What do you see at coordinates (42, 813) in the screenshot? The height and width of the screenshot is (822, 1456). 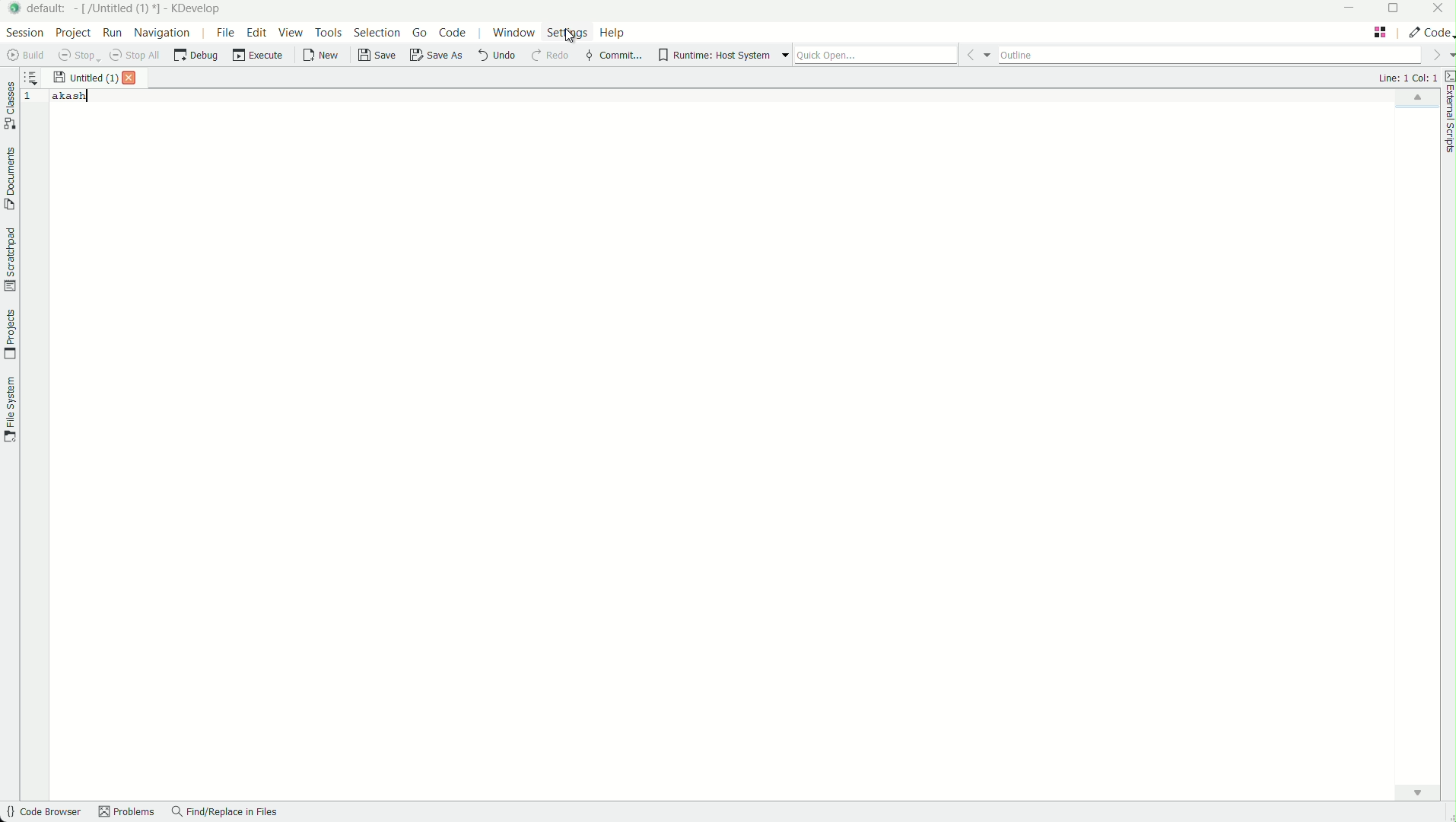 I see `code browser` at bounding box center [42, 813].